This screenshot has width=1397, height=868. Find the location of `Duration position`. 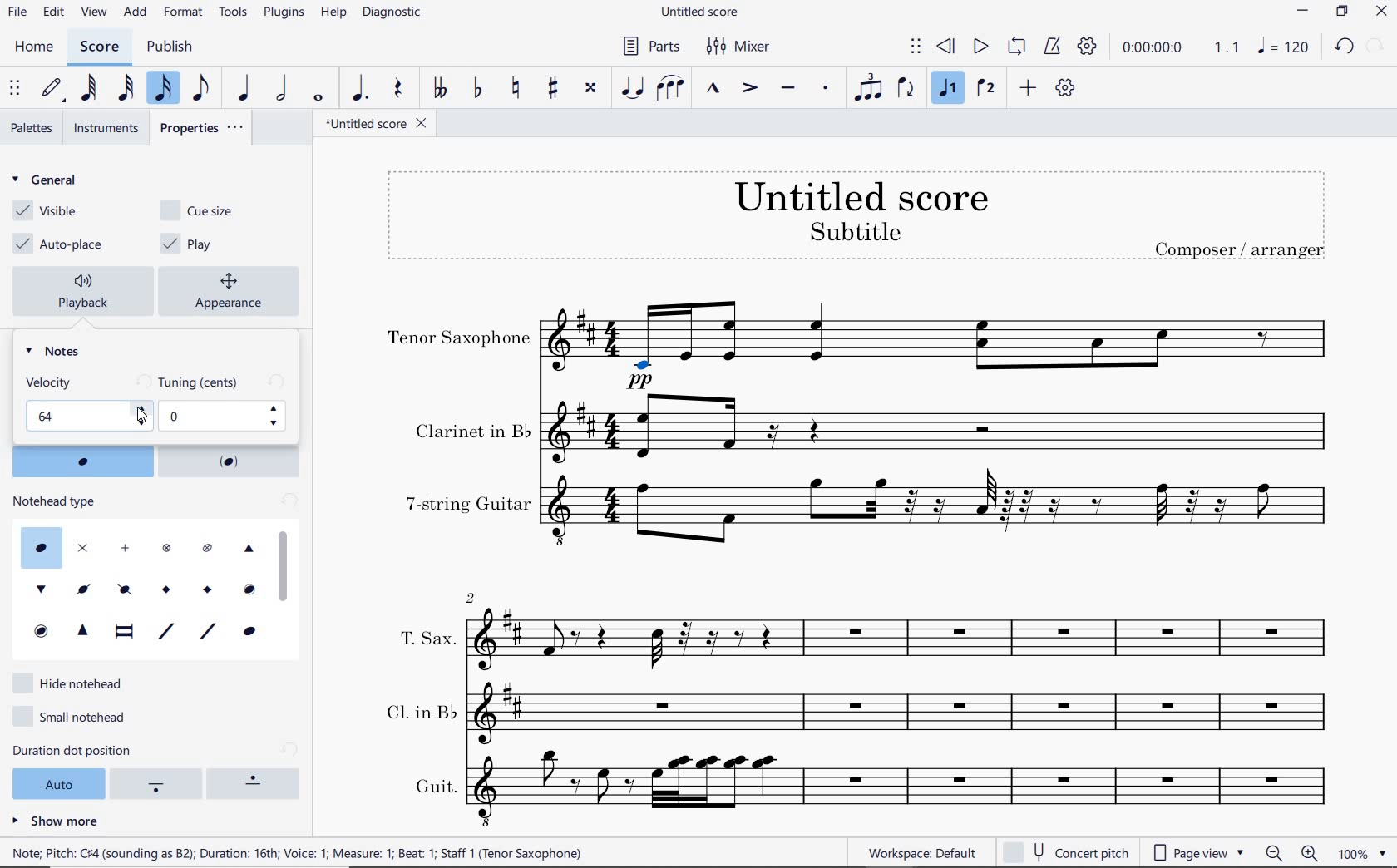

Duration position is located at coordinates (257, 783).